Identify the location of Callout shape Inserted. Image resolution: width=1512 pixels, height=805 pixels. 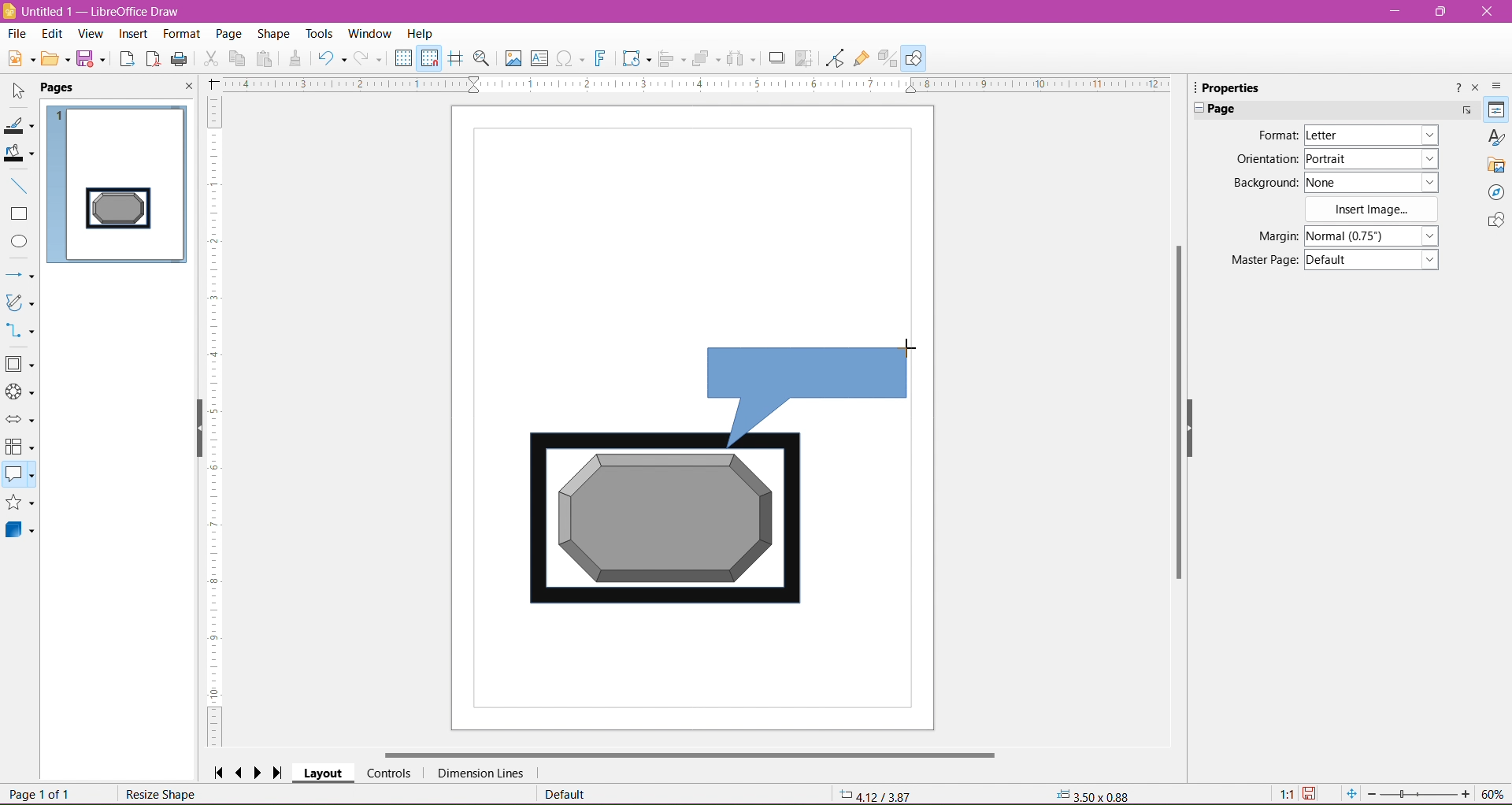
(815, 394).